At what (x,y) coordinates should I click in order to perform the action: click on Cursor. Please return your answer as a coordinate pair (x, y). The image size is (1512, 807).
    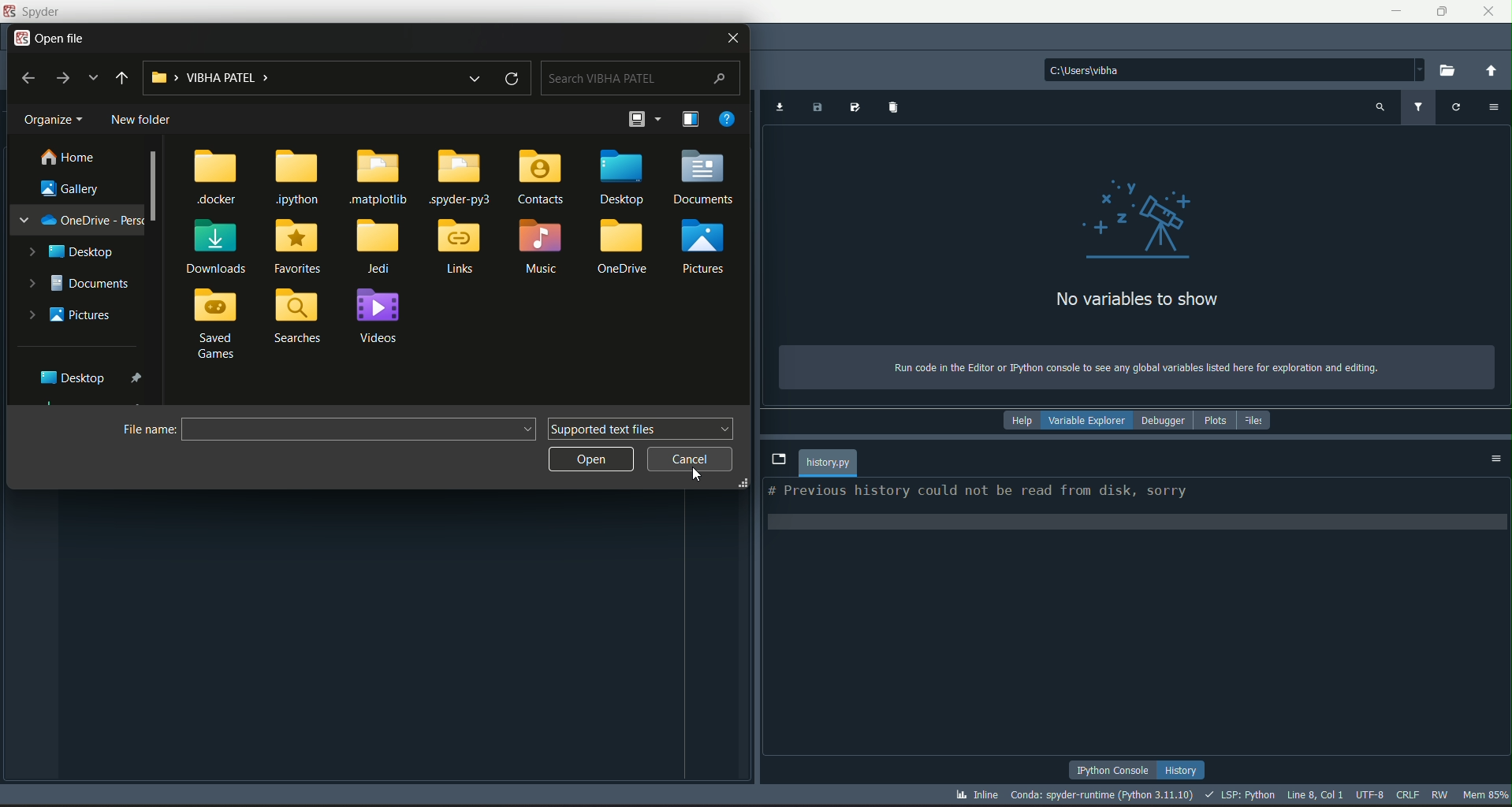
    Looking at the image, I should click on (700, 474).